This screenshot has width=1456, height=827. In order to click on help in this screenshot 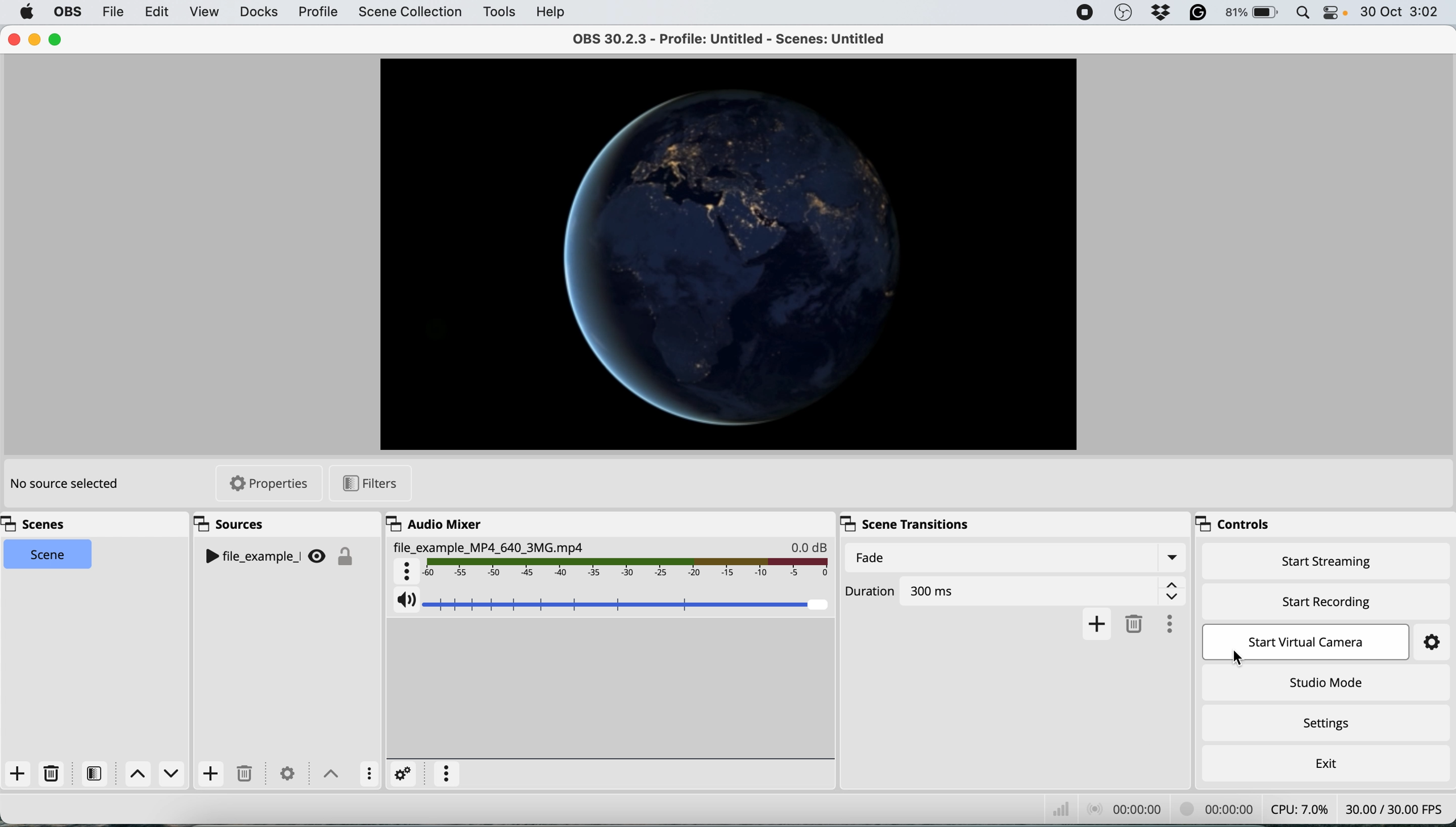, I will do `click(555, 11)`.